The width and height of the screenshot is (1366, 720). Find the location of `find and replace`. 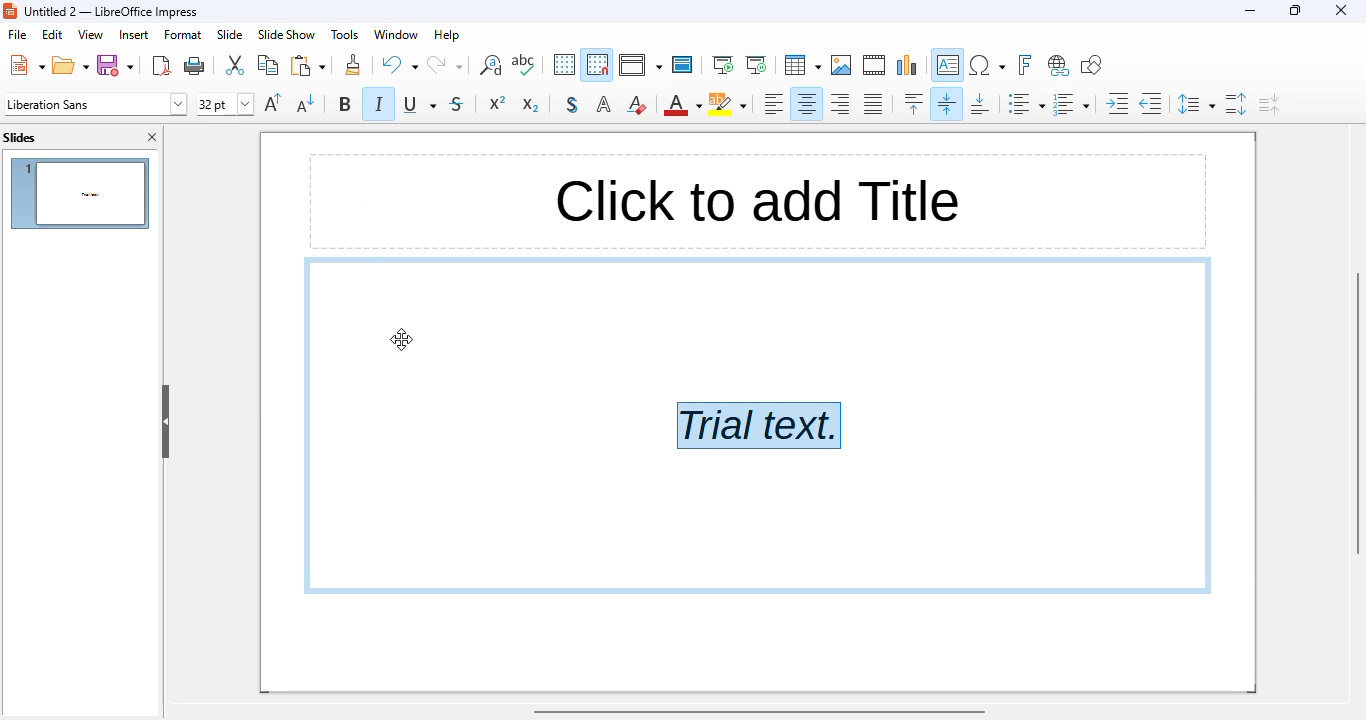

find and replace is located at coordinates (489, 65).